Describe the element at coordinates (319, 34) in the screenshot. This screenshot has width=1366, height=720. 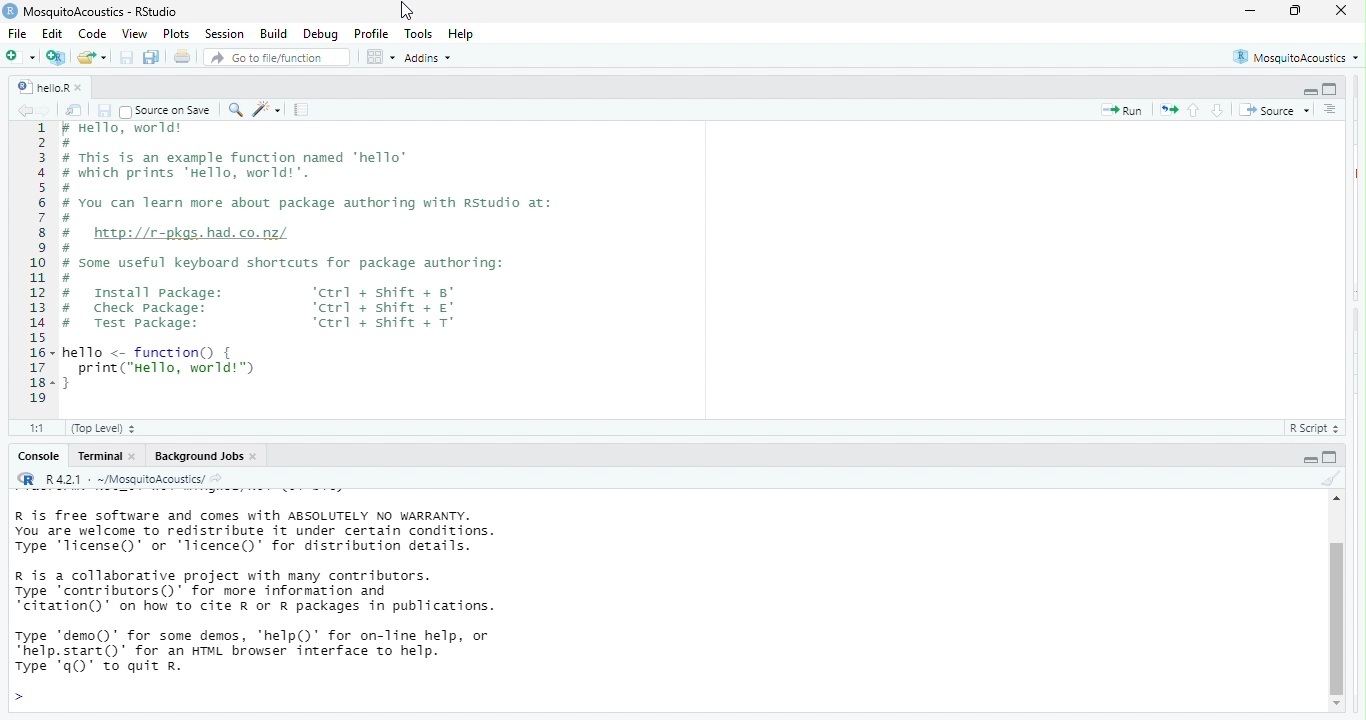
I see `Debug` at that location.